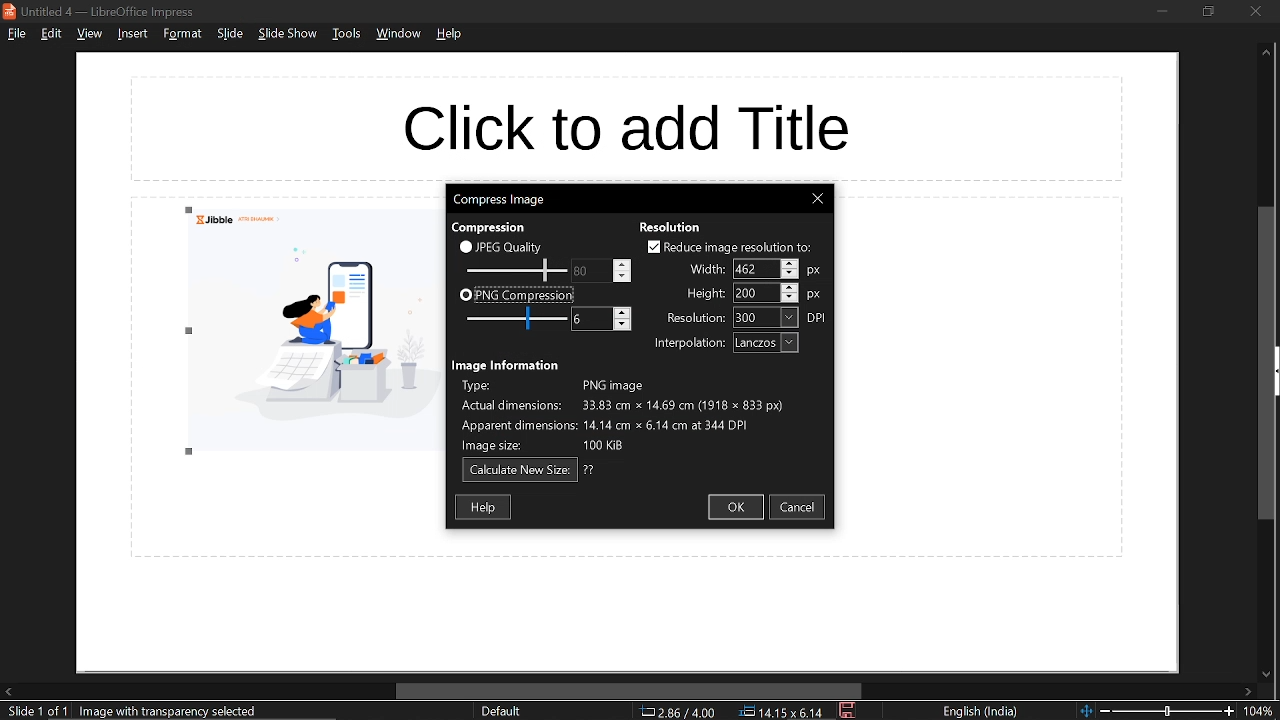 This screenshot has width=1280, height=720. Describe the element at coordinates (589, 271) in the screenshot. I see `PNG compression scale` at that location.